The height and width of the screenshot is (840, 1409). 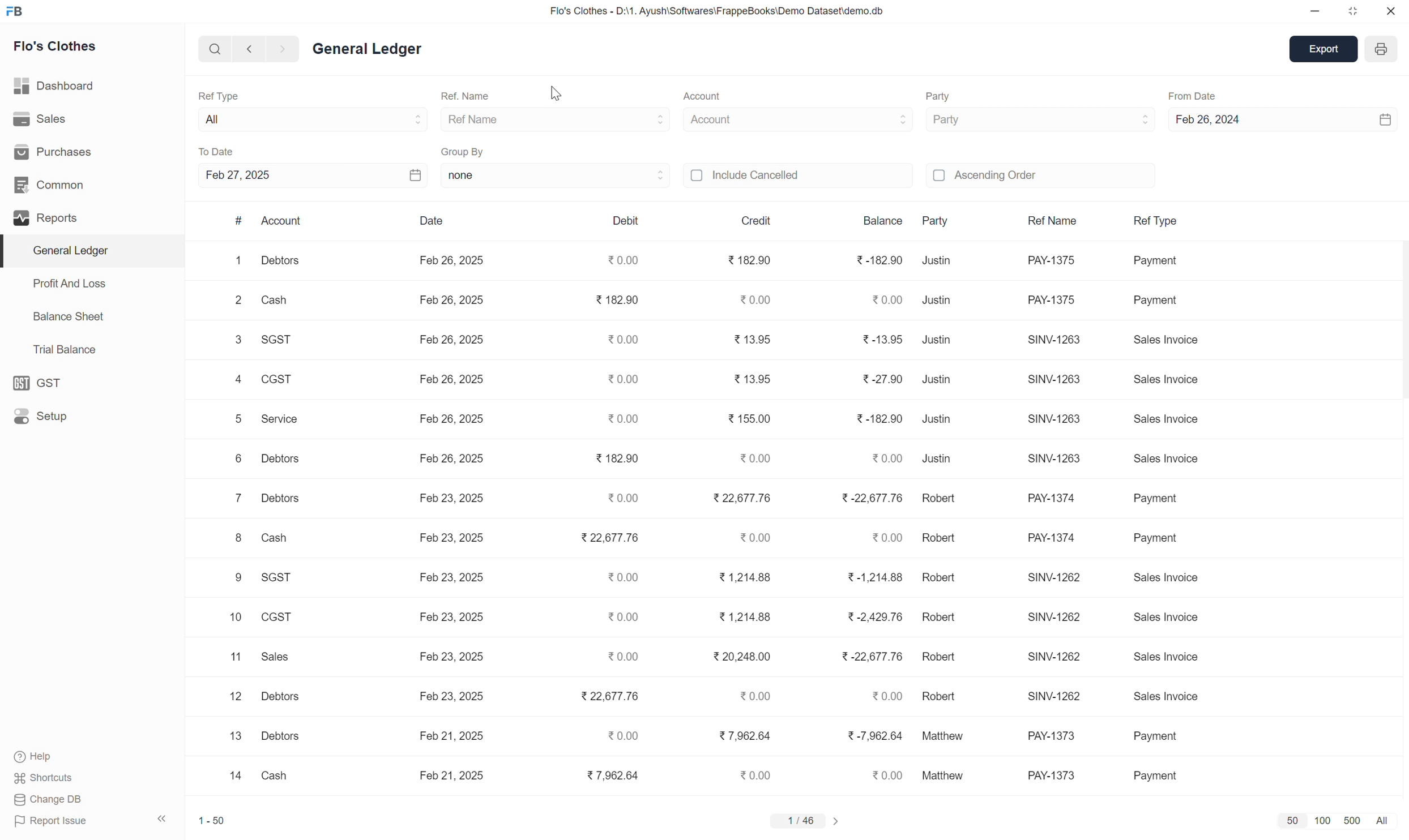 What do you see at coordinates (624, 657) in the screenshot?
I see `0.00` at bounding box center [624, 657].